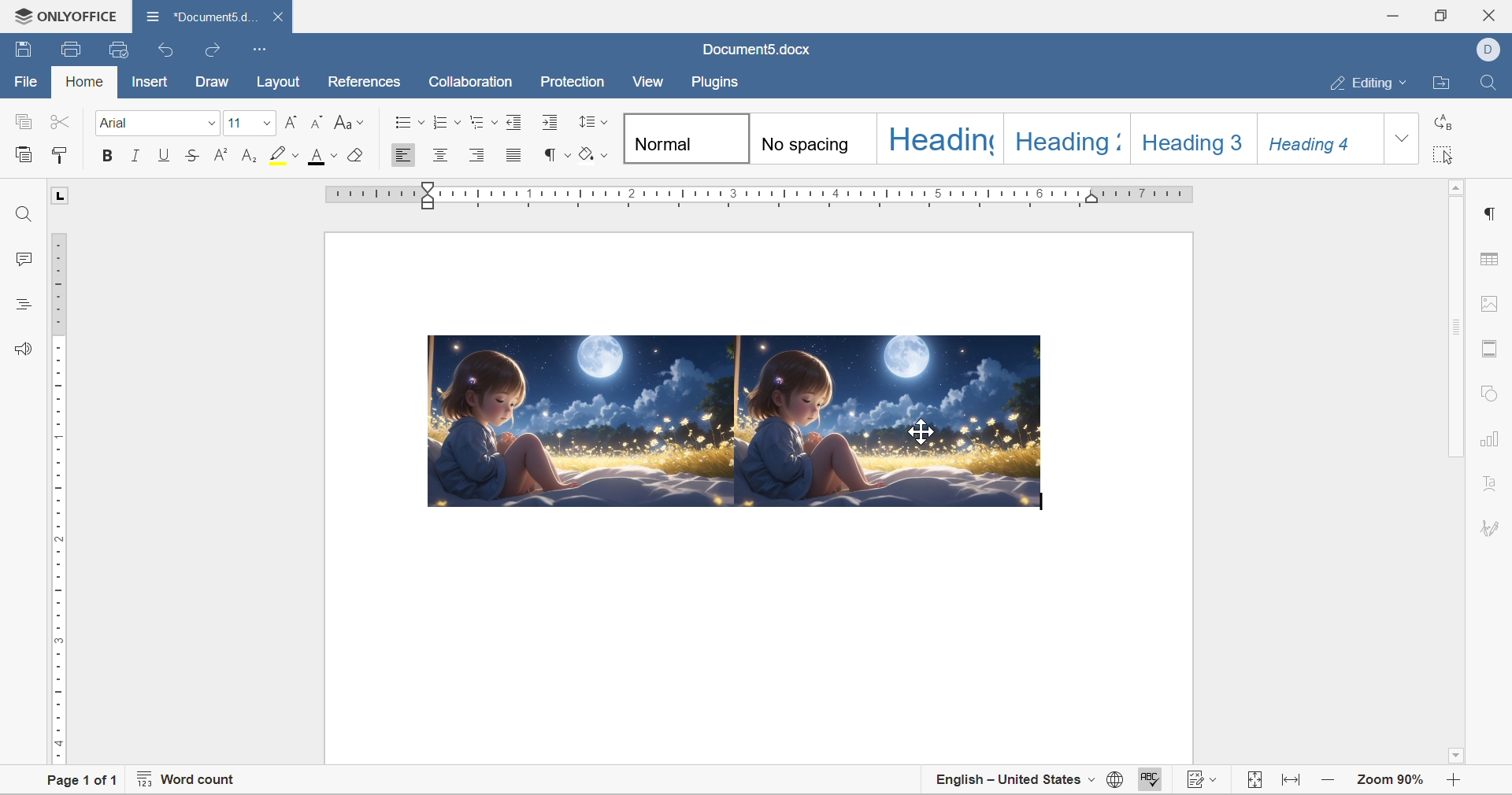  What do you see at coordinates (250, 156) in the screenshot?
I see `subscript` at bounding box center [250, 156].